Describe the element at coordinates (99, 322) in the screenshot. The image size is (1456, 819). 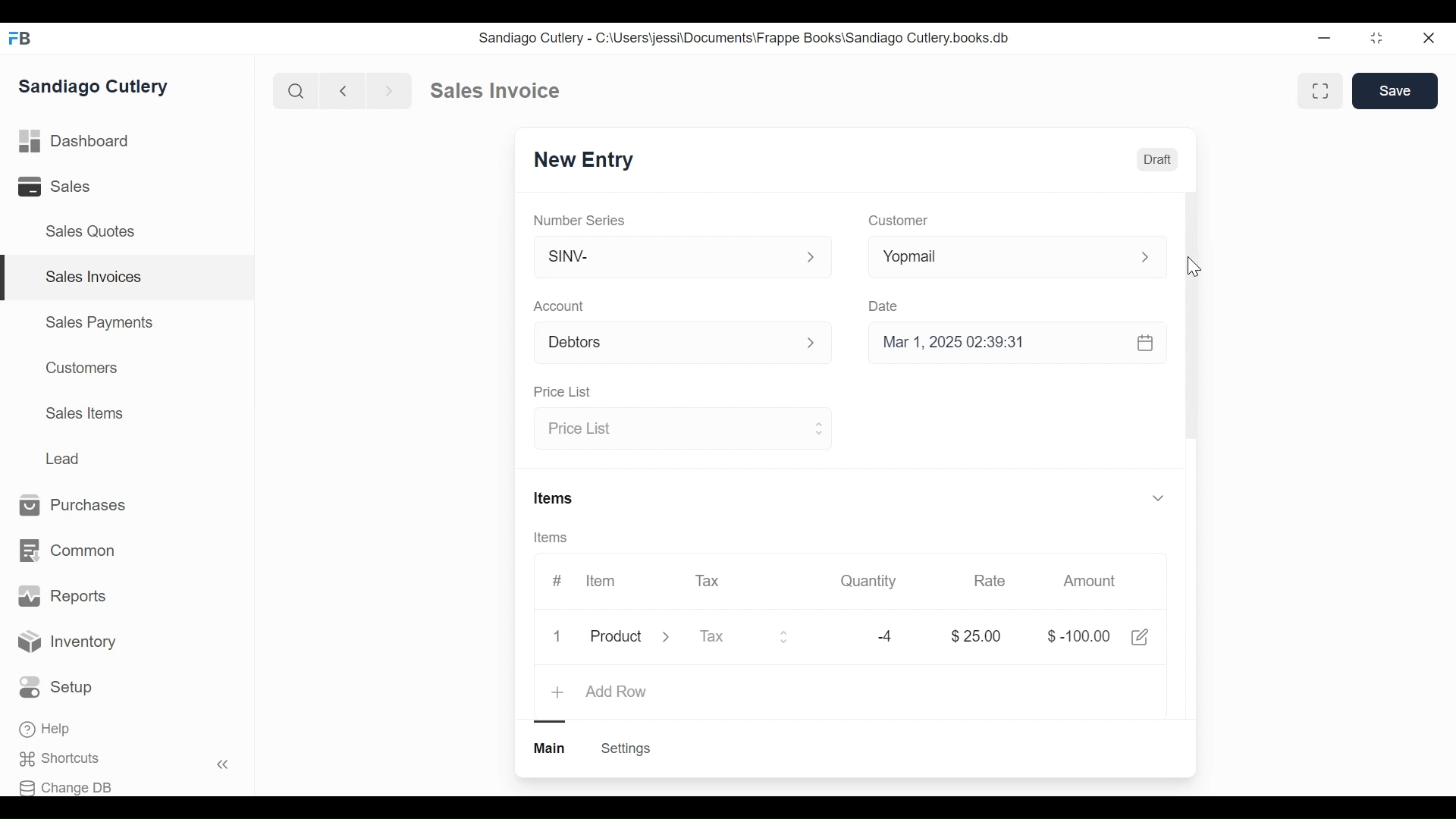
I see `Sales Payments` at that location.